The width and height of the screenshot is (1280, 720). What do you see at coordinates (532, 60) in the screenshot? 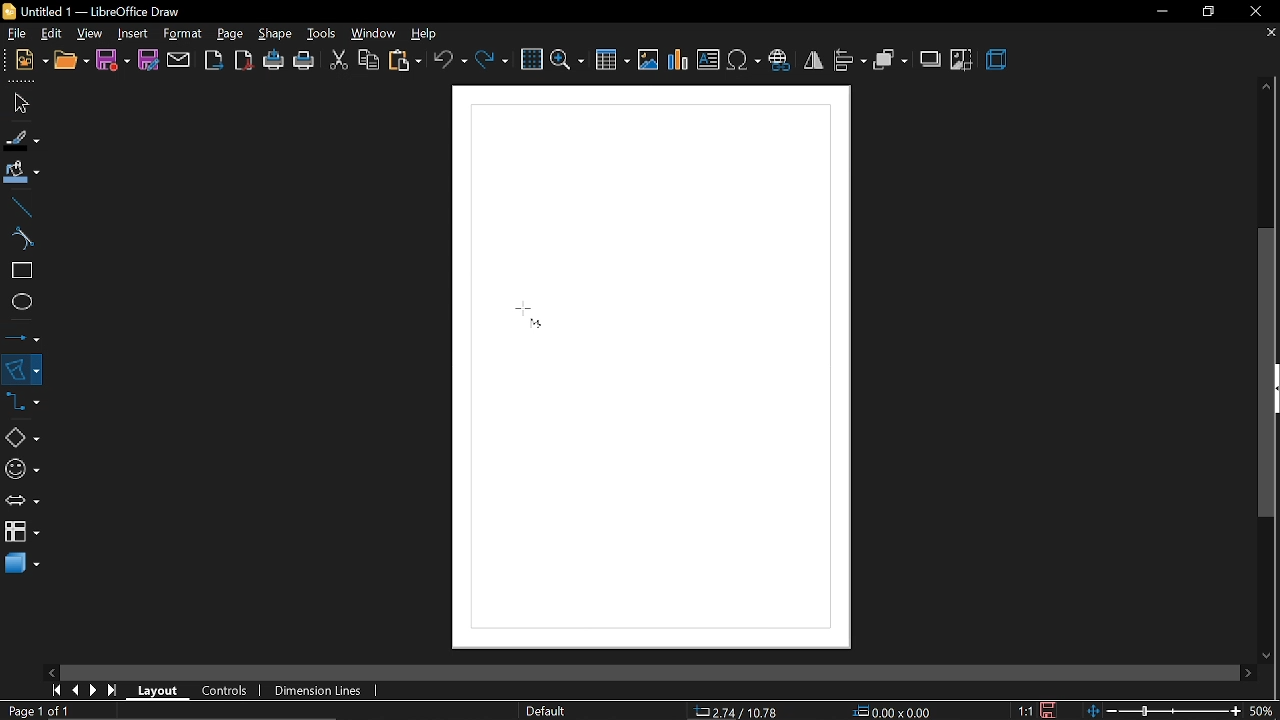
I see `grid` at bounding box center [532, 60].